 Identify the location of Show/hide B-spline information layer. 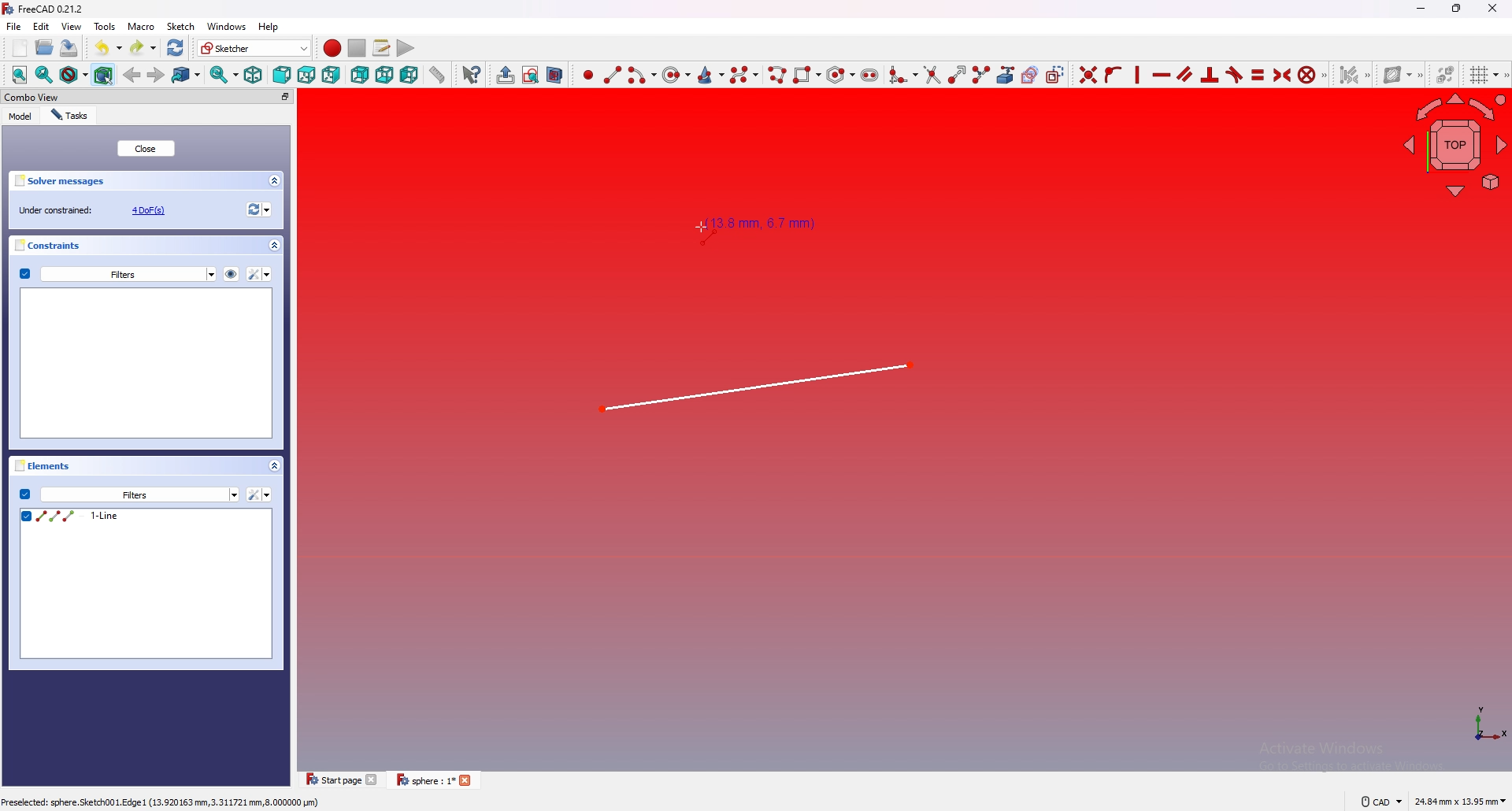
(1400, 74).